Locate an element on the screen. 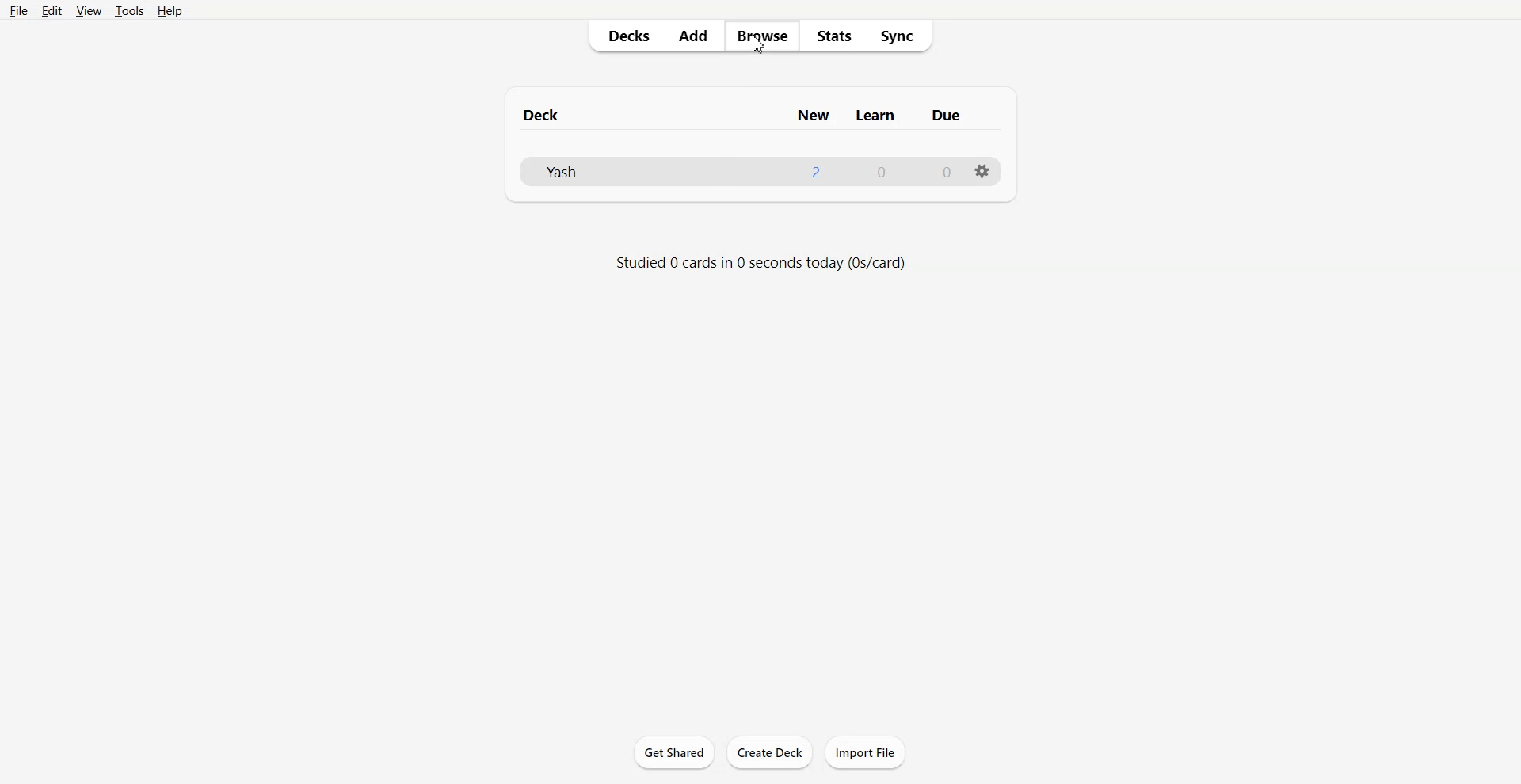 The width and height of the screenshot is (1521, 784). View is located at coordinates (88, 10).